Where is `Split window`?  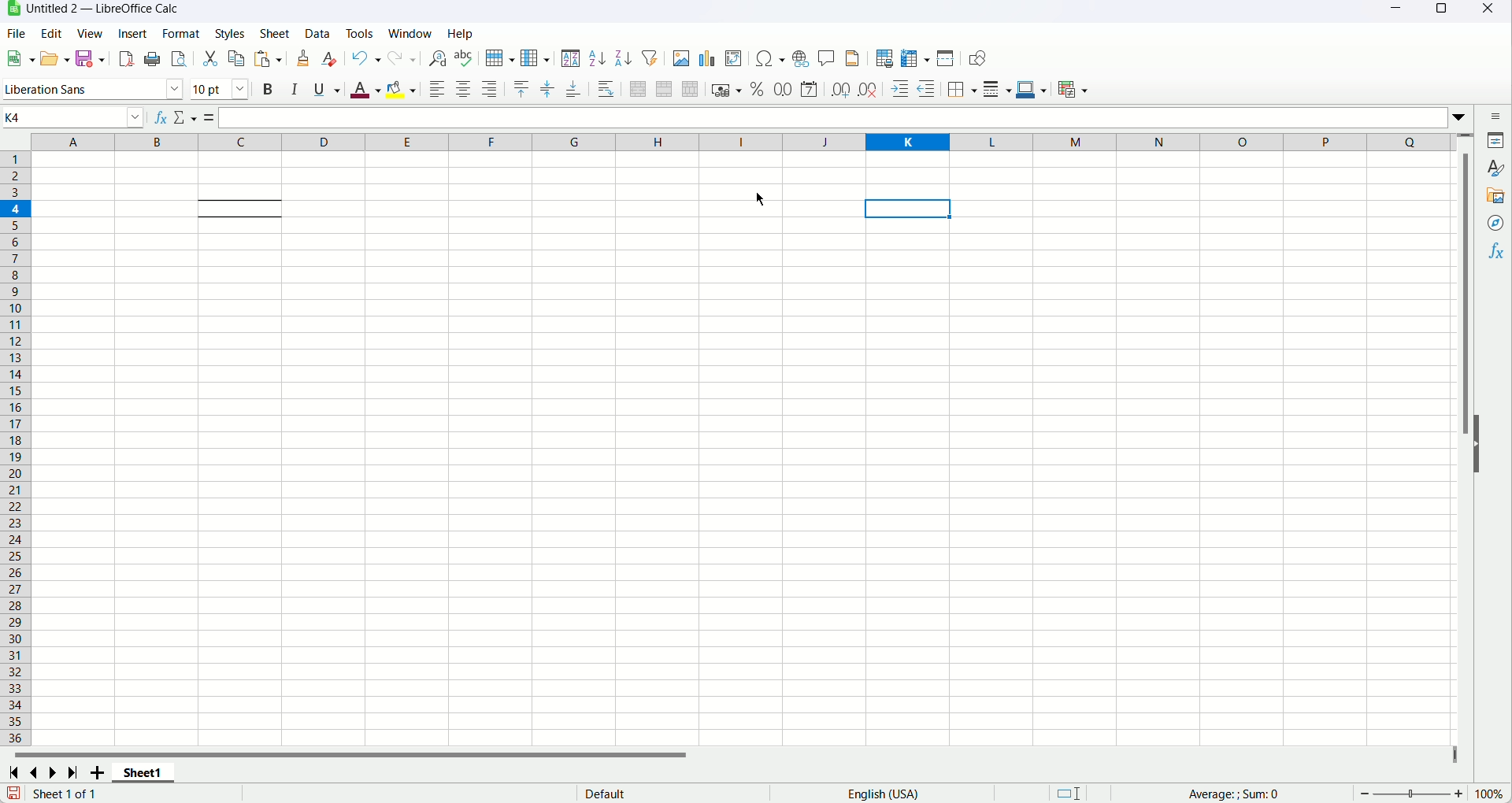 Split window is located at coordinates (946, 58).